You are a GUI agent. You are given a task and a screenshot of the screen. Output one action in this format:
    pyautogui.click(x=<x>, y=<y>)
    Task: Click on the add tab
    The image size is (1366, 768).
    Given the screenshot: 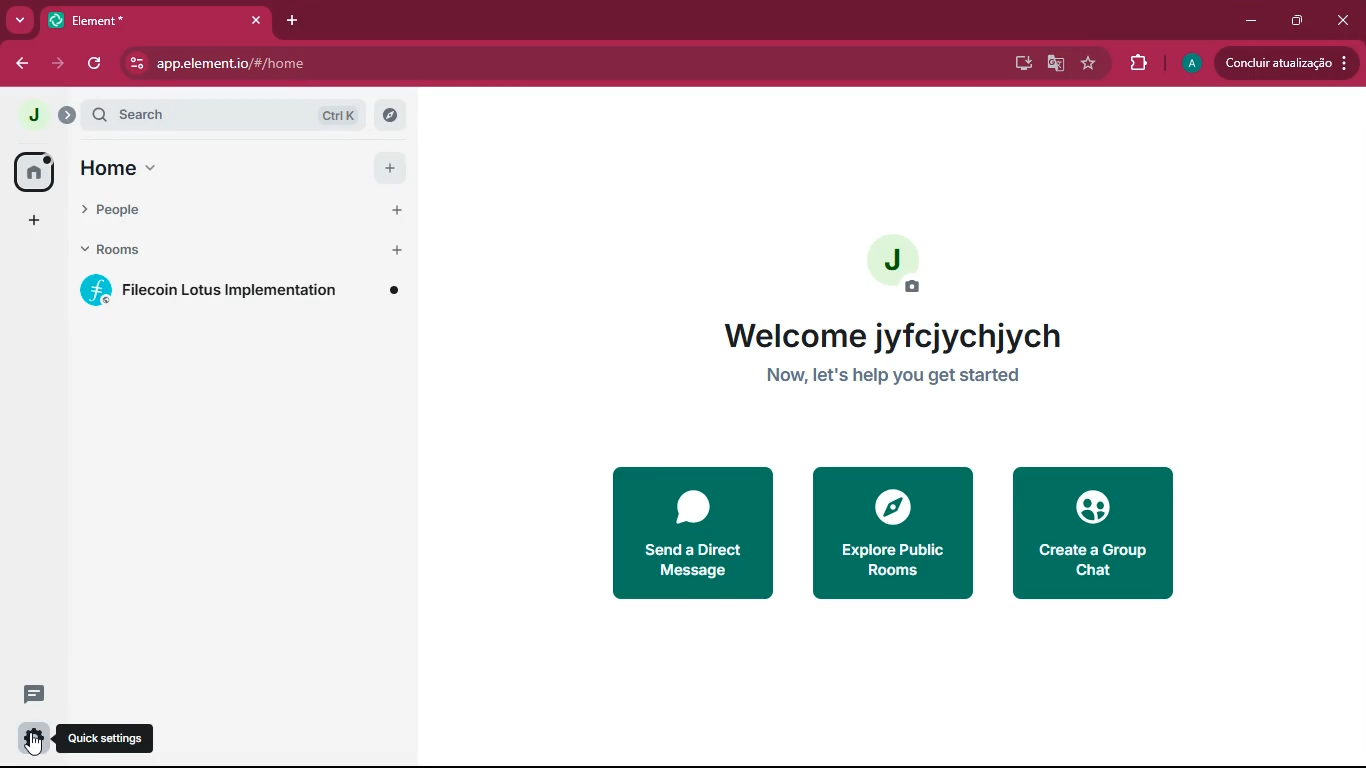 What is the action you would take?
    pyautogui.click(x=288, y=20)
    